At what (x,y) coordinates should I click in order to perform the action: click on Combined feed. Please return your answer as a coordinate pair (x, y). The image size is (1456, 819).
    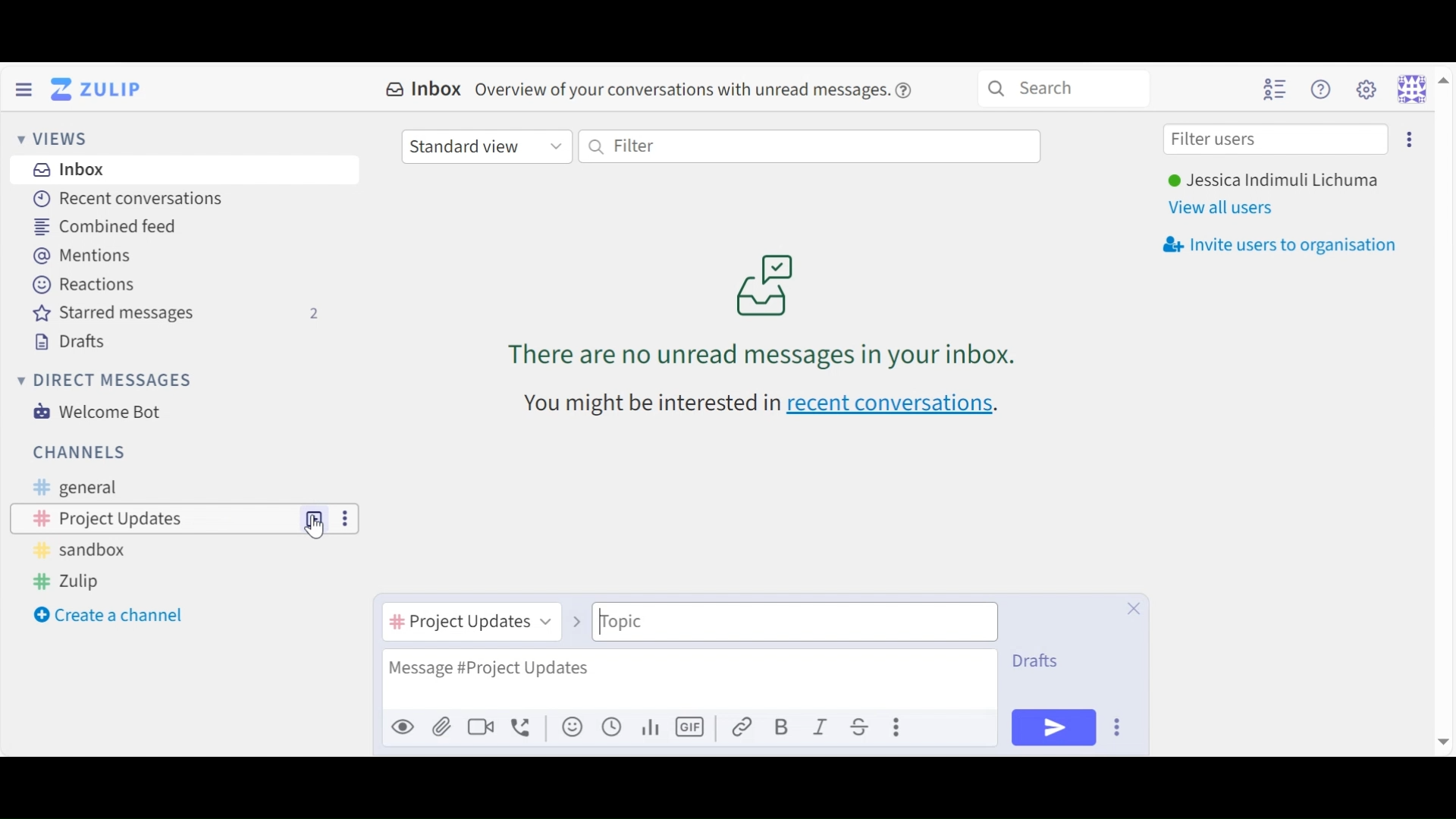
    Looking at the image, I should click on (116, 226).